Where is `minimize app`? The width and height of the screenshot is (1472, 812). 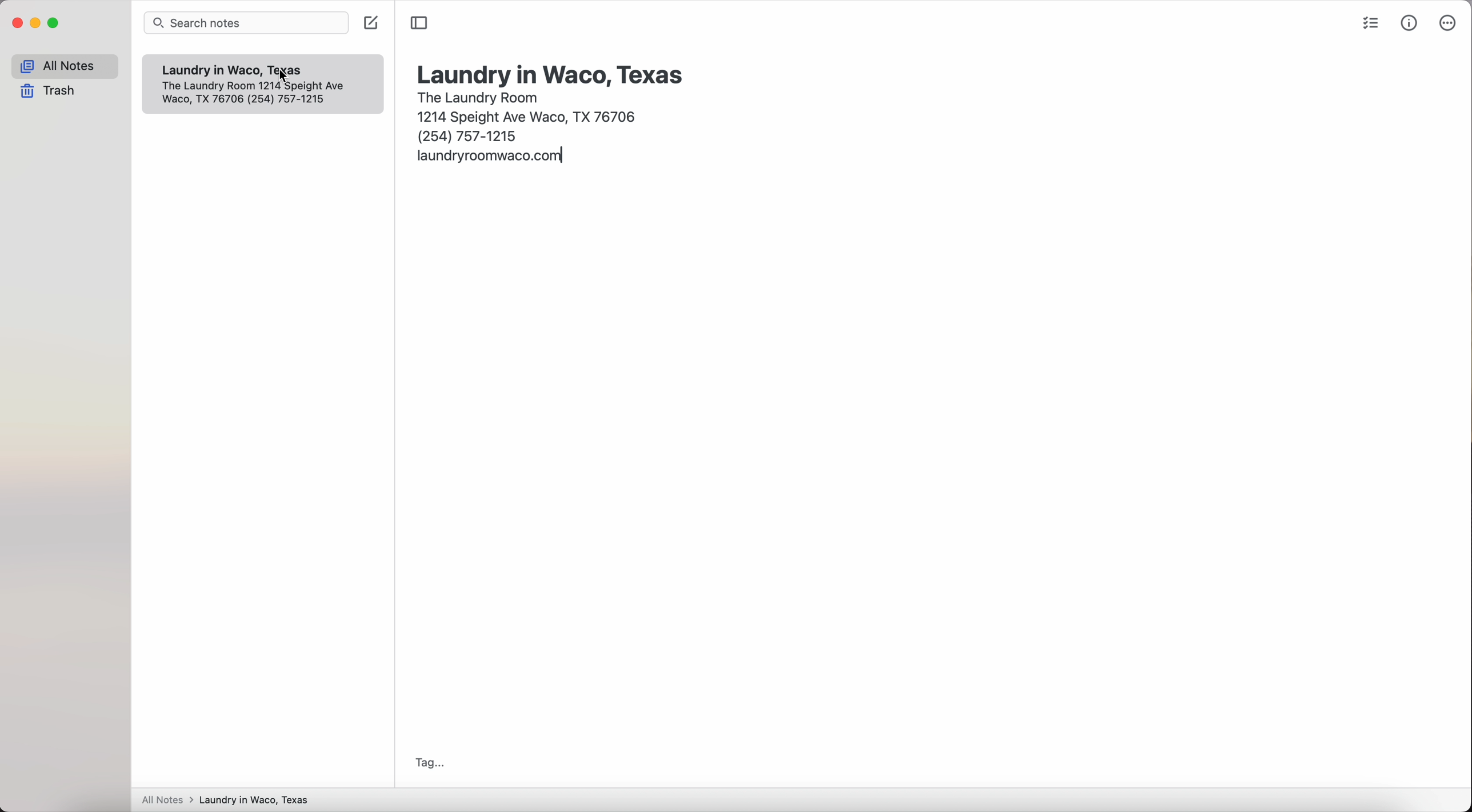 minimize app is located at coordinates (36, 23).